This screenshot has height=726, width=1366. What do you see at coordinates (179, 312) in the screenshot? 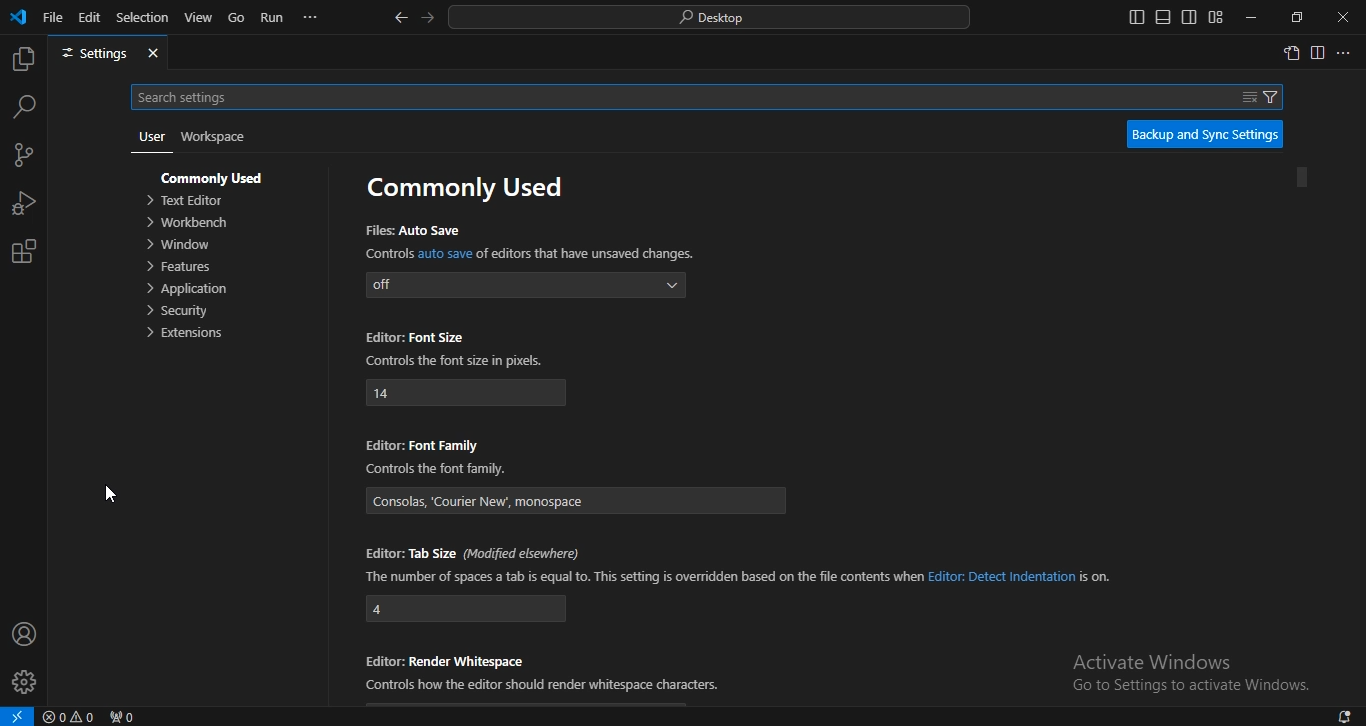
I see `ecurity` at bounding box center [179, 312].